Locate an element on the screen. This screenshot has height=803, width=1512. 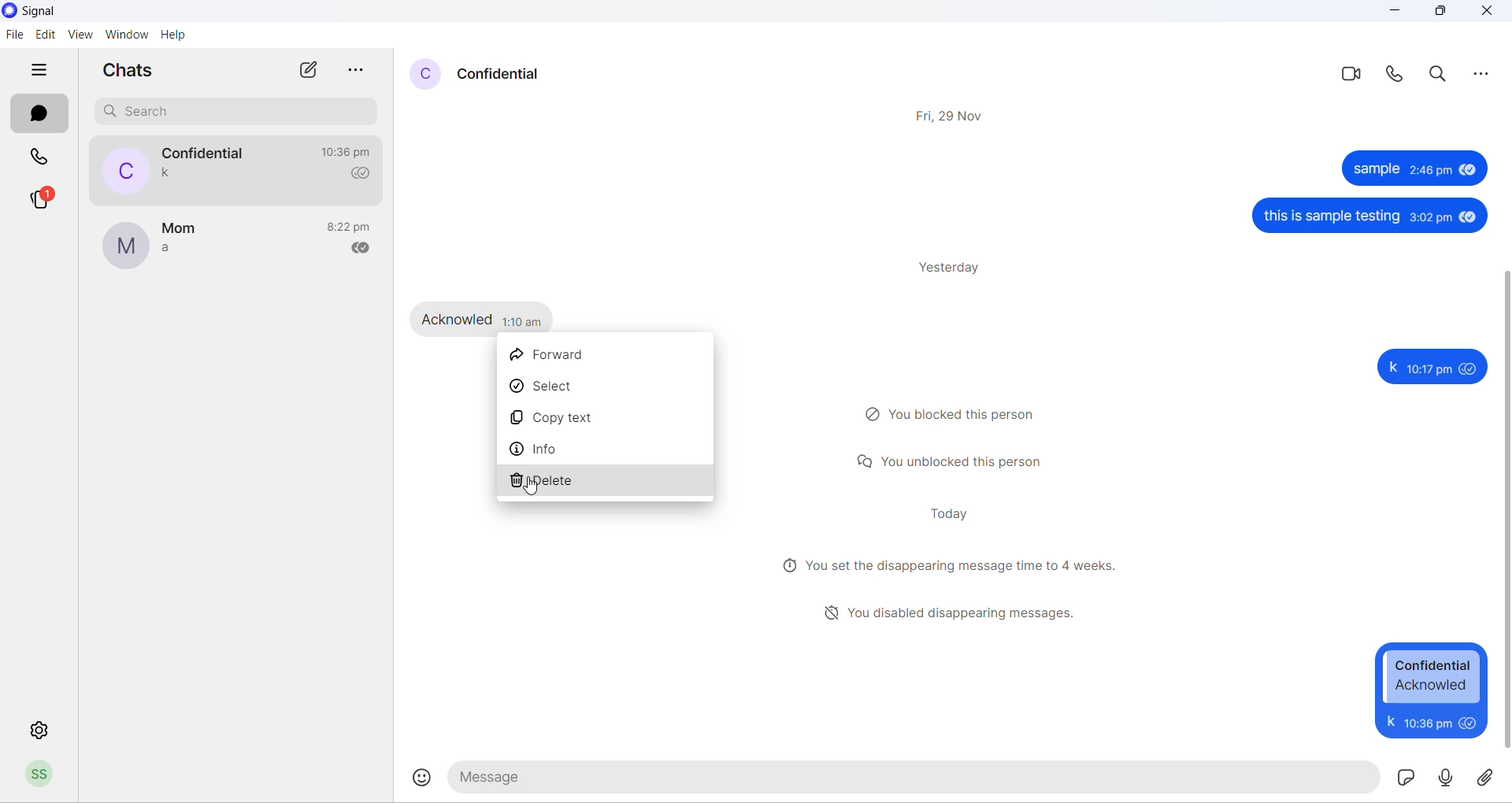
10:36 pm is located at coordinates (1425, 722).